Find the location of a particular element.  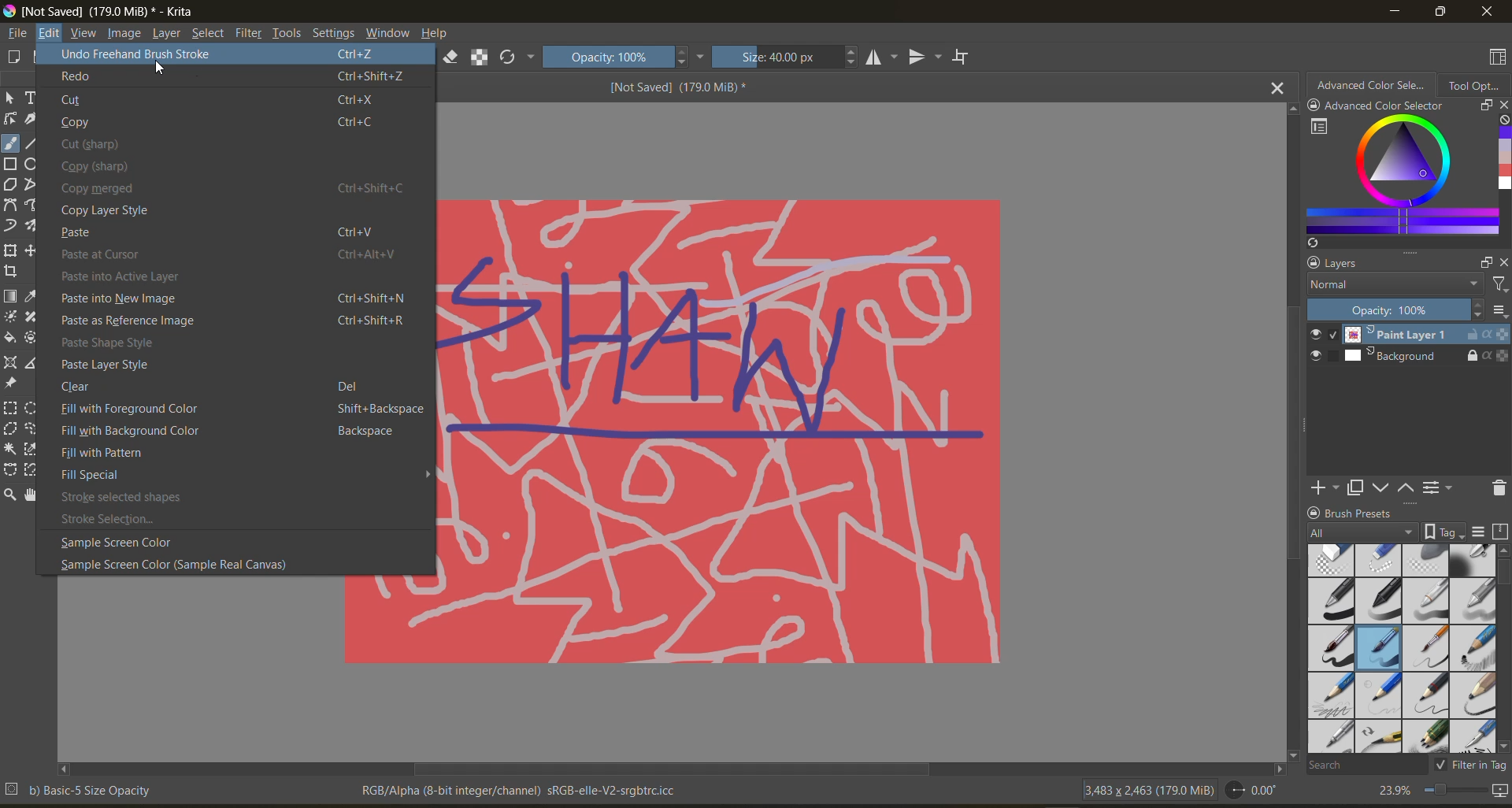

cut (sharp) is located at coordinates (97, 144).